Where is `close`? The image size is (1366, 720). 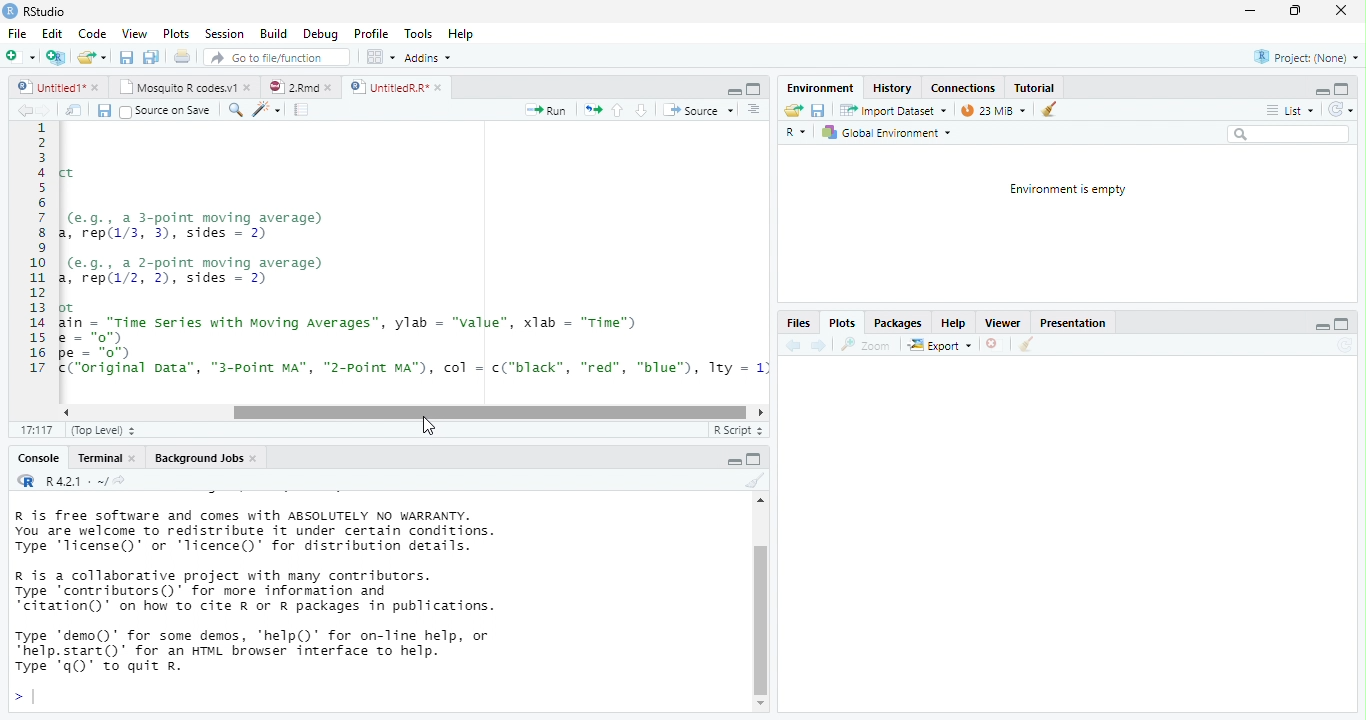
close is located at coordinates (441, 88).